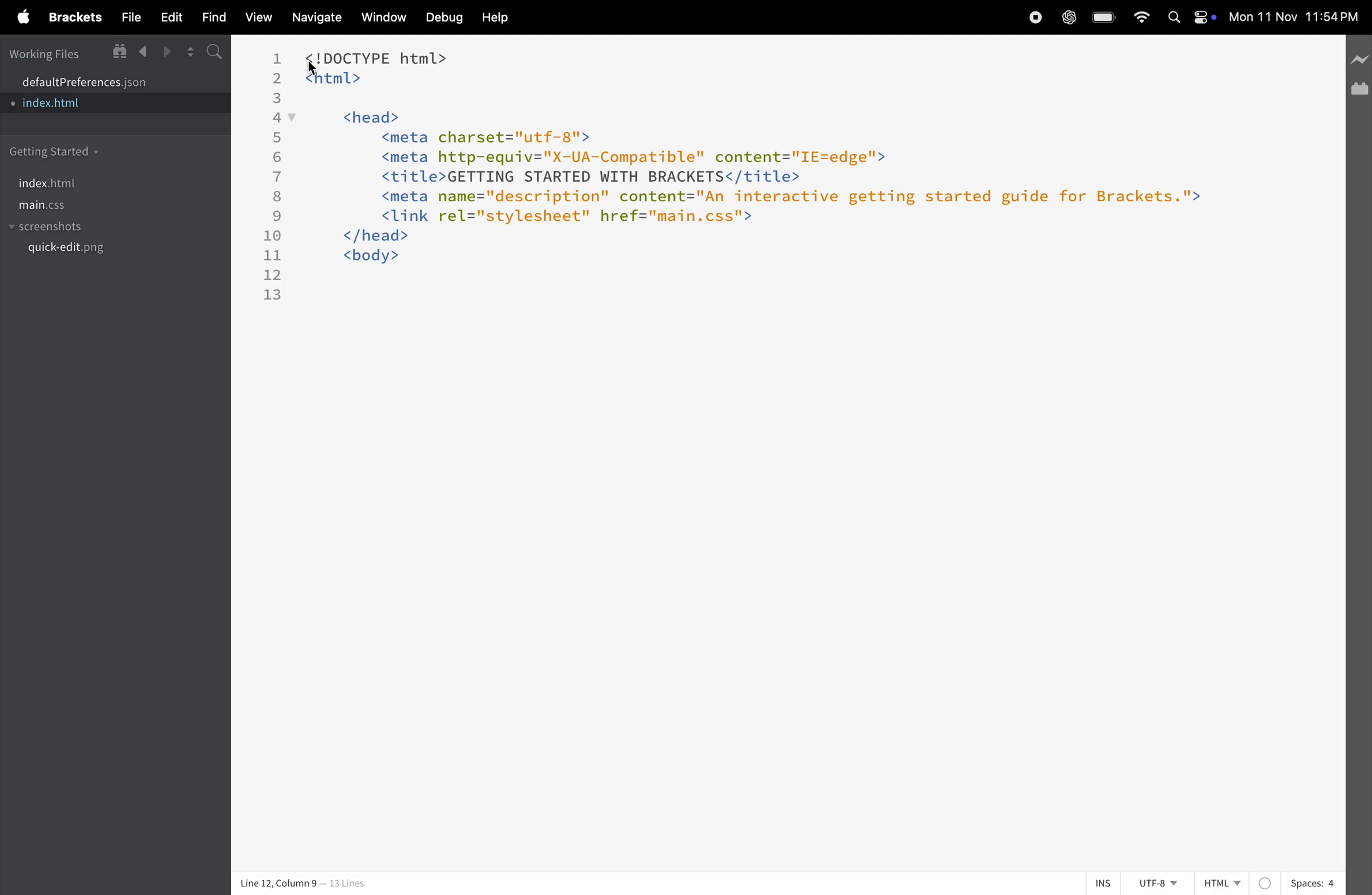 The height and width of the screenshot is (895, 1372). Describe the element at coordinates (1295, 17) in the screenshot. I see `time and date` at that location.